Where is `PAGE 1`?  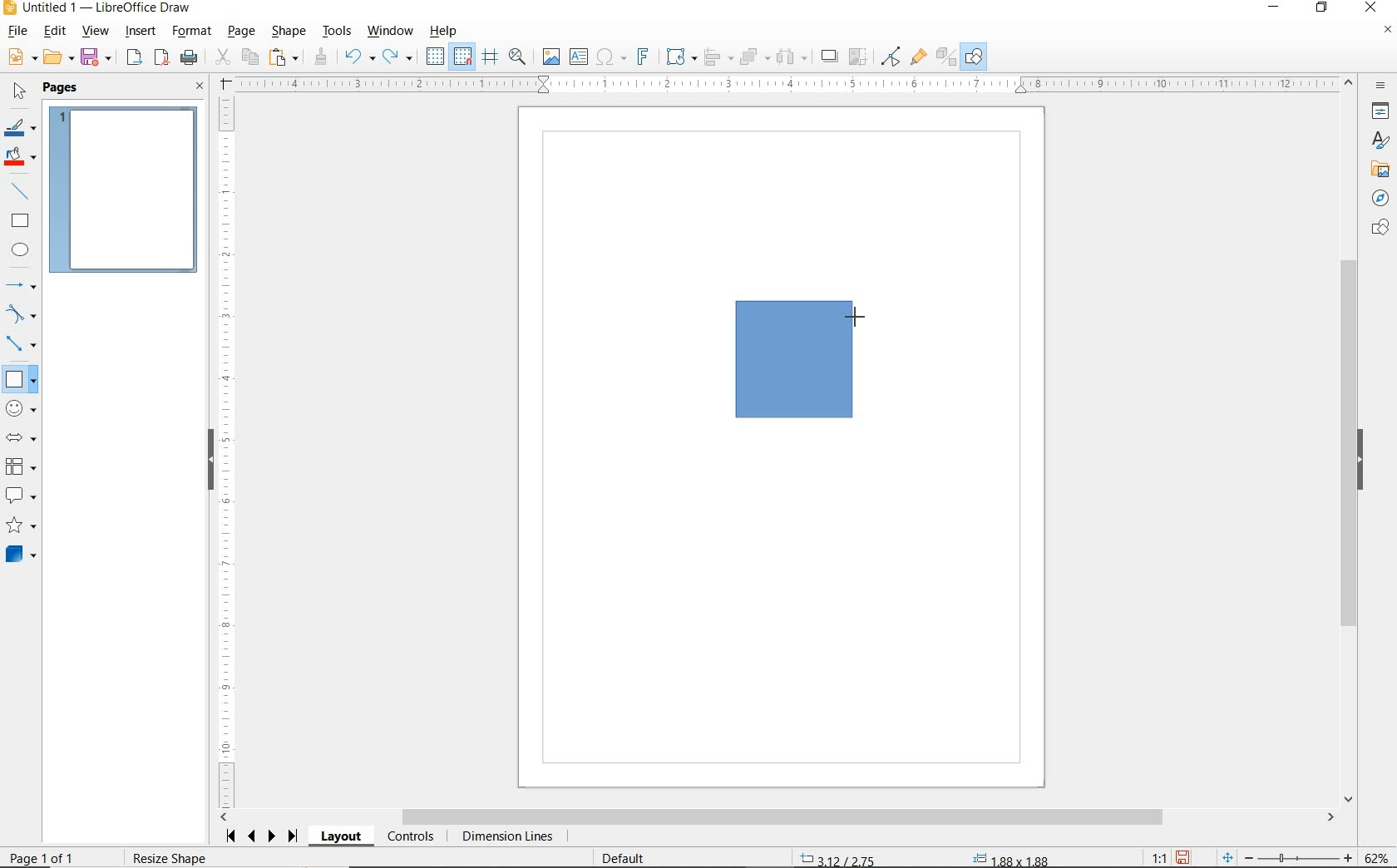 PAGE 1 is located at coordinates (124, 189).